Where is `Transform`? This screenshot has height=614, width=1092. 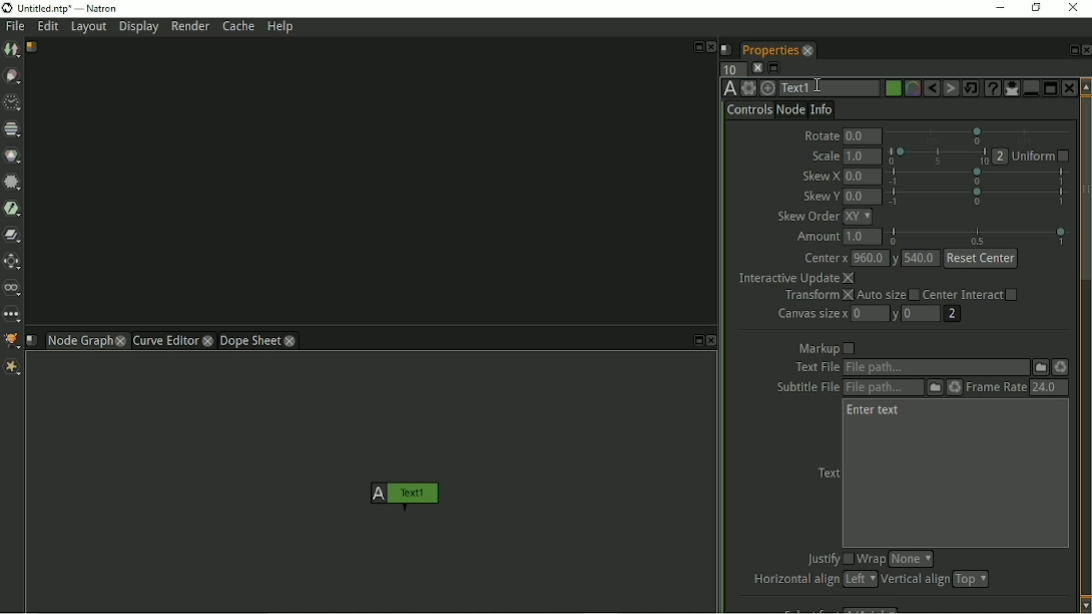 Transform is located at coordinates (14, 262).